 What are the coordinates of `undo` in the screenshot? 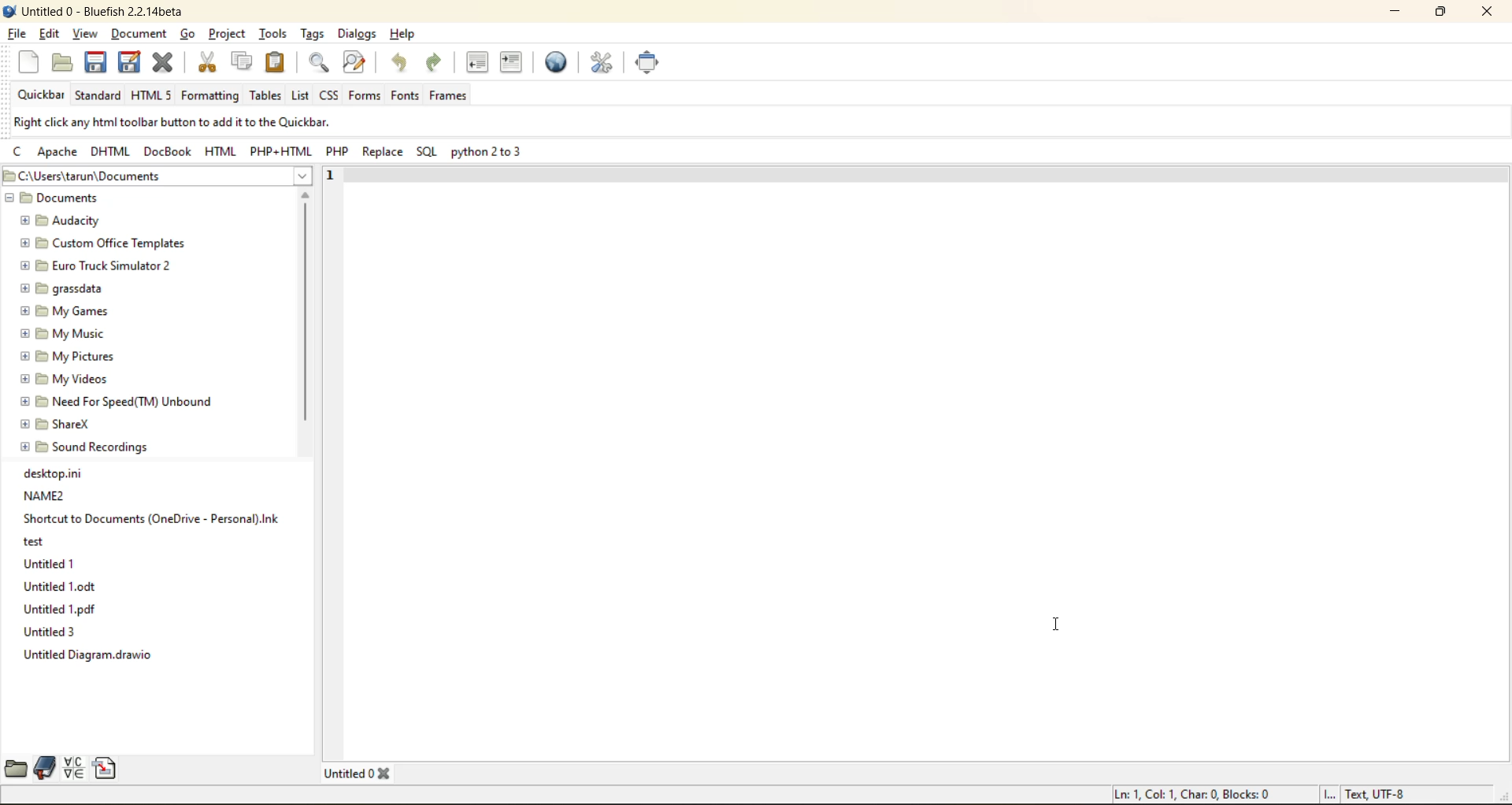 It's located at (404, 63).